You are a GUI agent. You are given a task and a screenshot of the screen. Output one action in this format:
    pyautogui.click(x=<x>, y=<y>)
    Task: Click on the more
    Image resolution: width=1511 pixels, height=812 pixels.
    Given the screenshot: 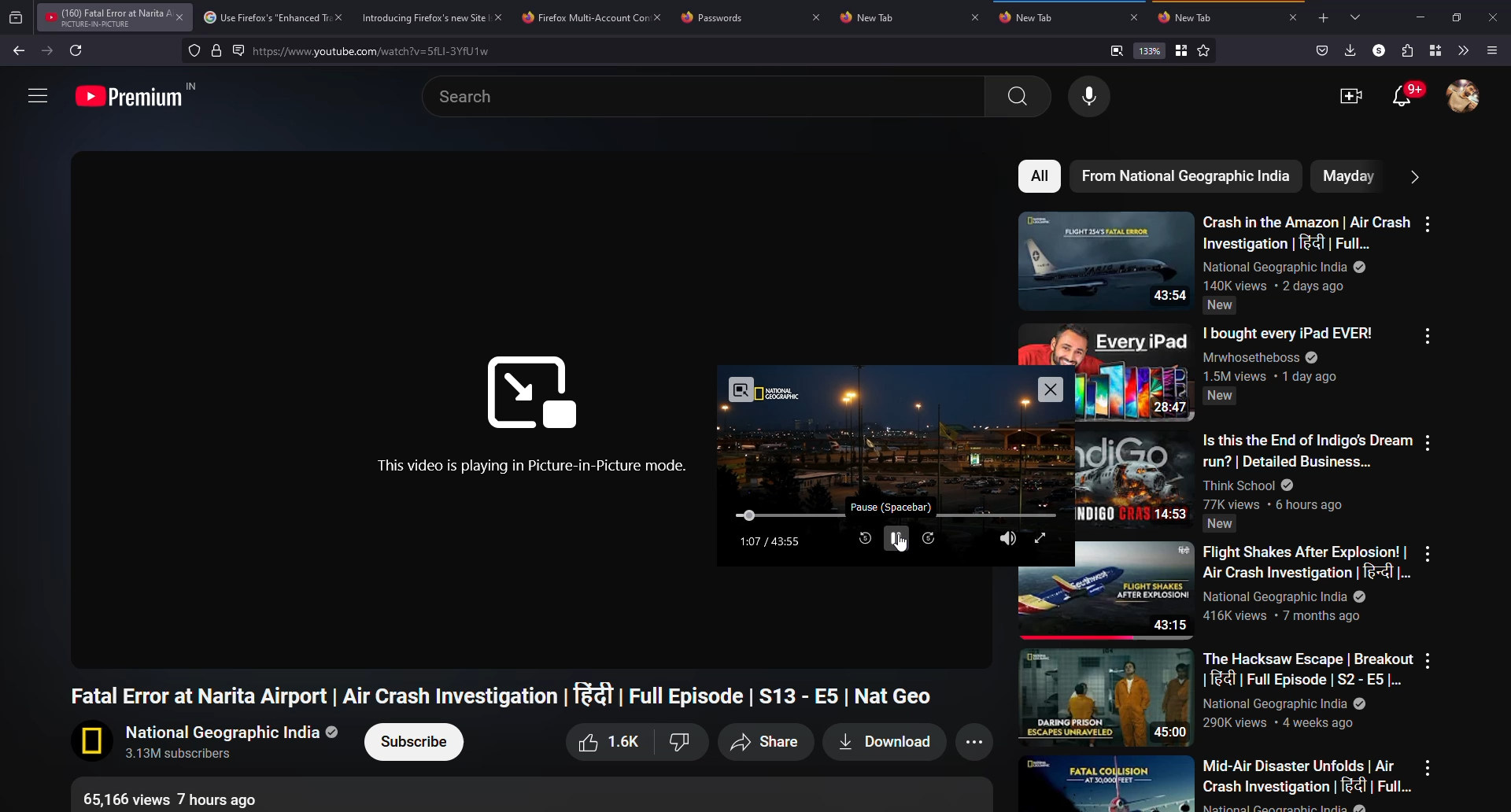 What is the action you would take?
    pyautogui.click(x=36, y=94)
    